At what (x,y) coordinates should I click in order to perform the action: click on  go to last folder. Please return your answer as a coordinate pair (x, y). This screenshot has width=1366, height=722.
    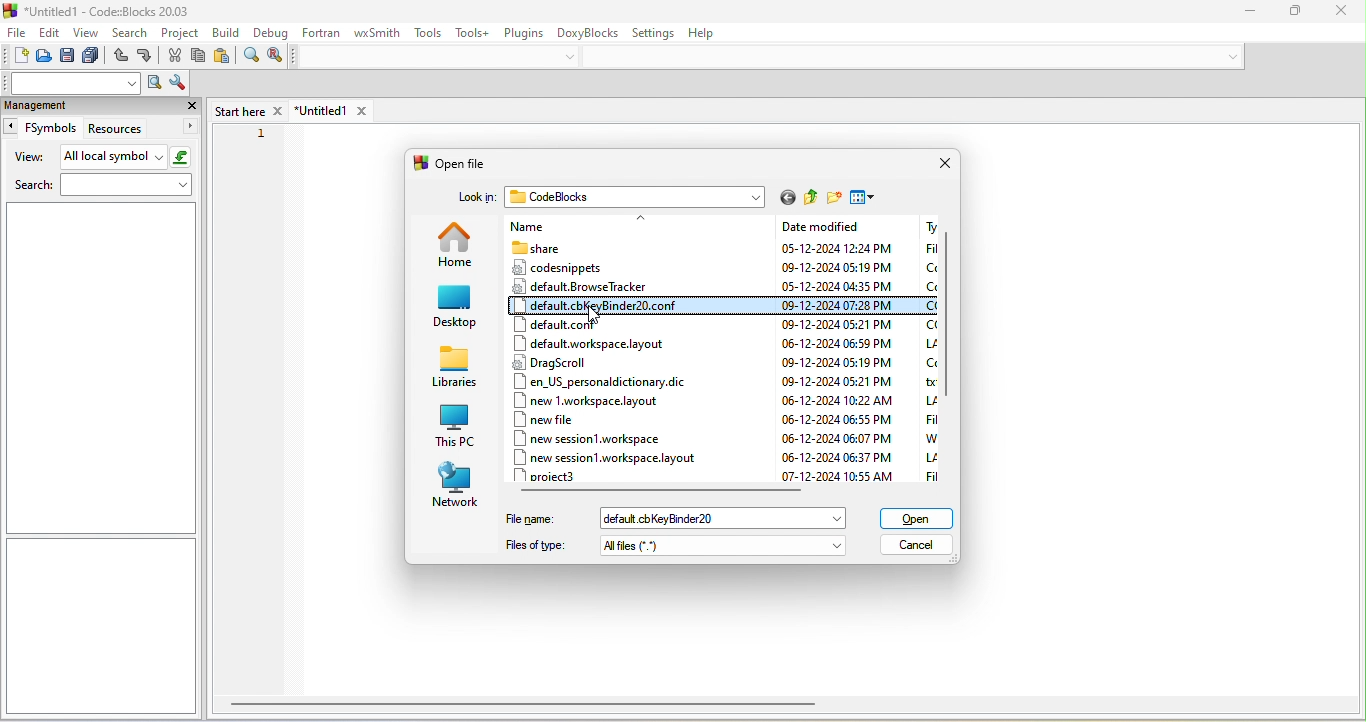
    Looking at the image, I should click on (788, 198).